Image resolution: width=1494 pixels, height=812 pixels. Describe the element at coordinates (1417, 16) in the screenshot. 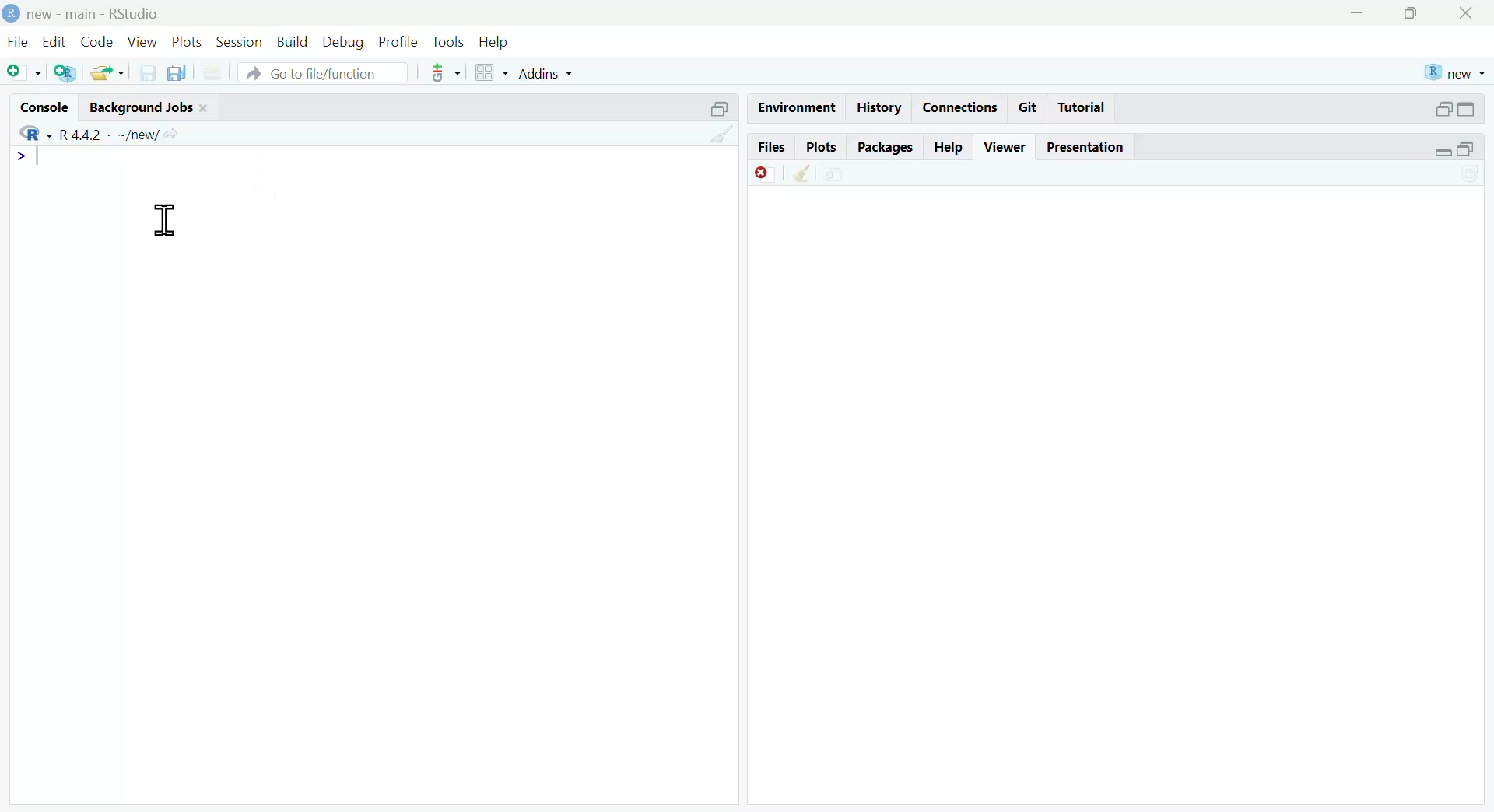

I see `maximize window` at that location.